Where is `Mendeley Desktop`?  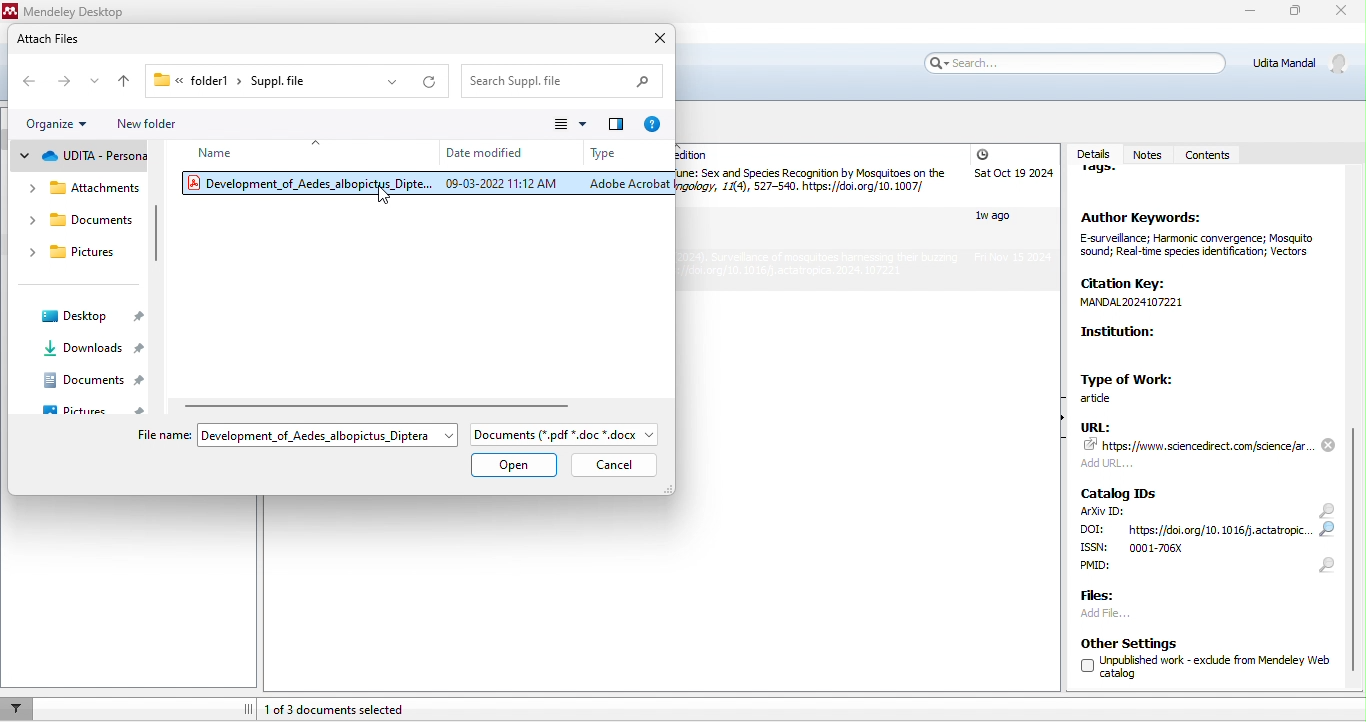 Mendeley Desktop is located at coordinates (71, 11).